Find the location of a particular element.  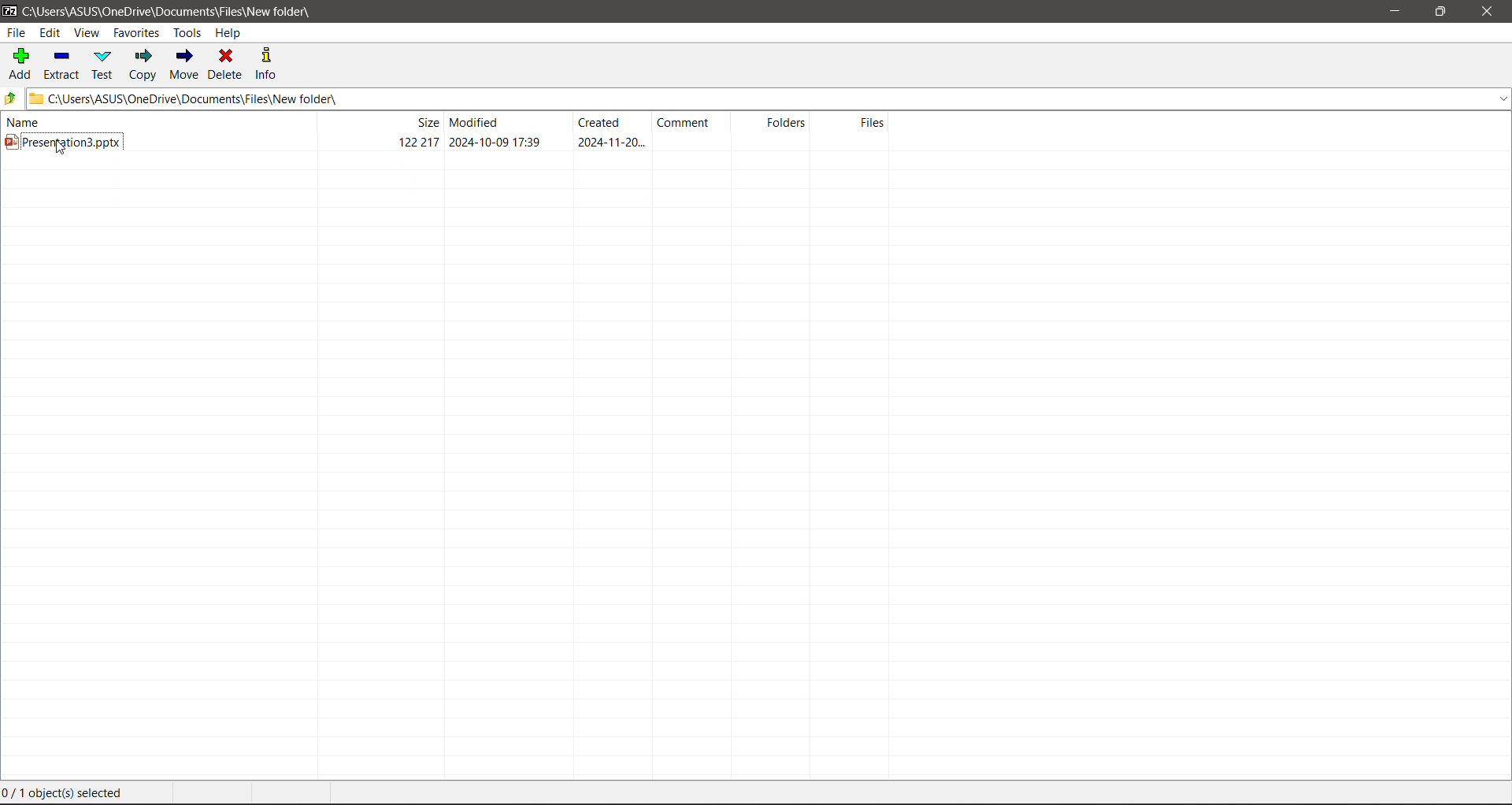

File Size is located at coordinates (378, 122).